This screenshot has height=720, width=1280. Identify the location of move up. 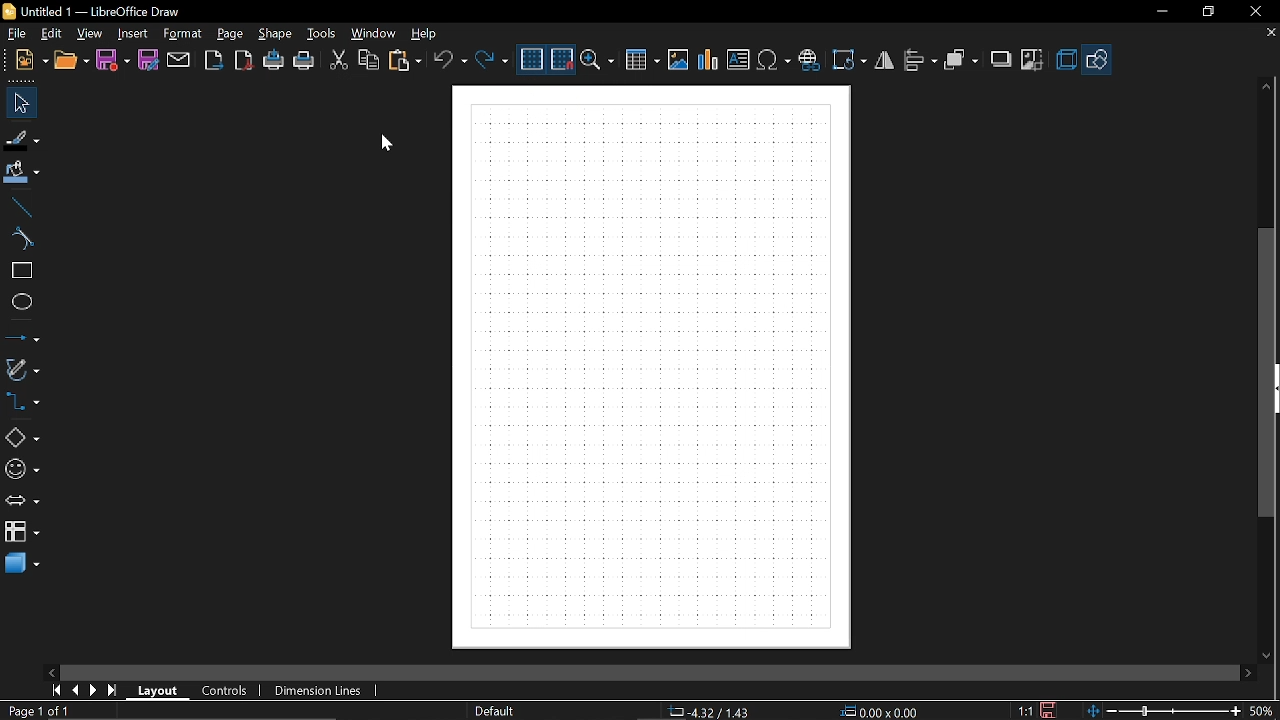
(1266, 89).